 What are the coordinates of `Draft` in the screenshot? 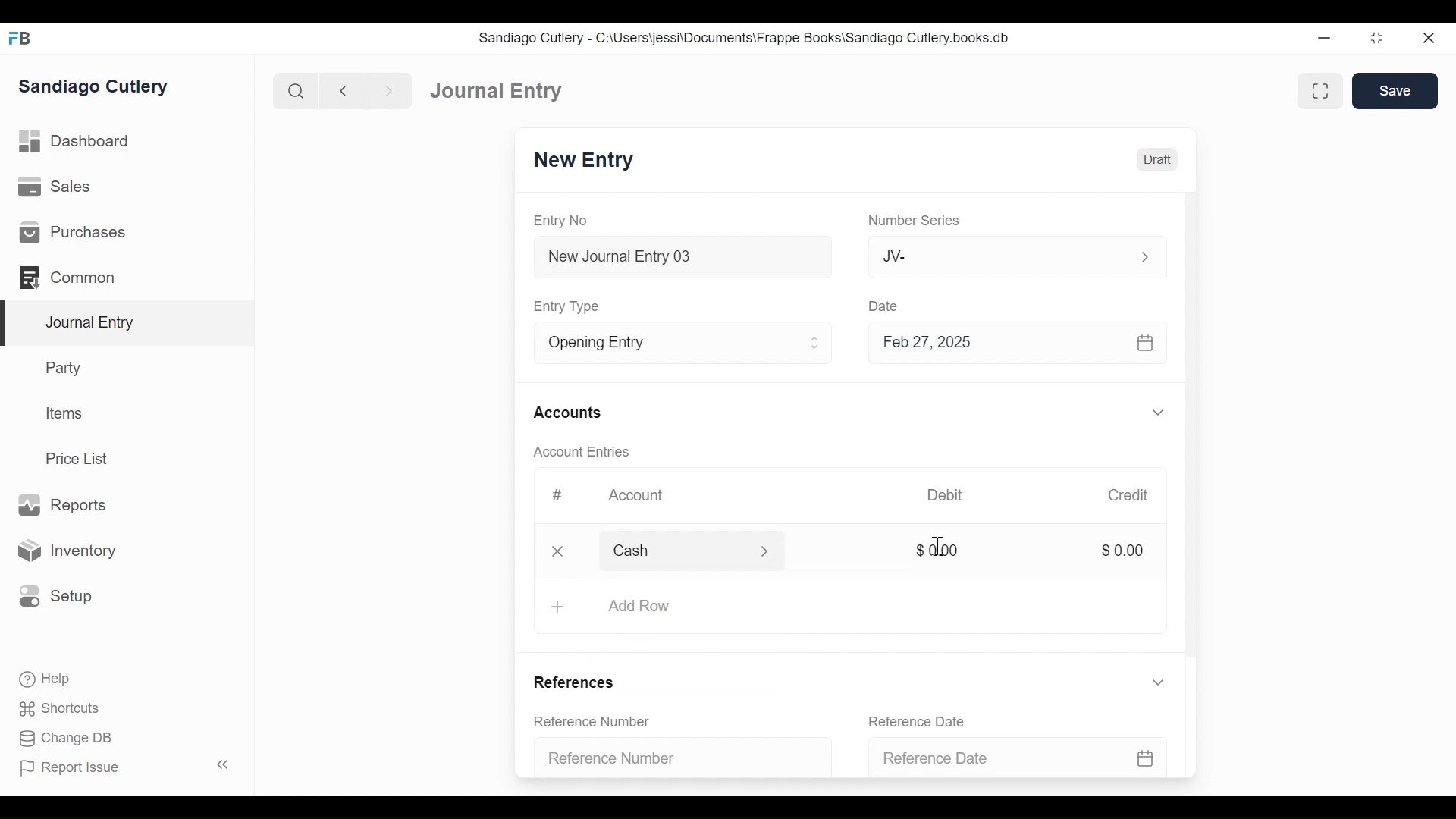 It's located at (1156, 161).